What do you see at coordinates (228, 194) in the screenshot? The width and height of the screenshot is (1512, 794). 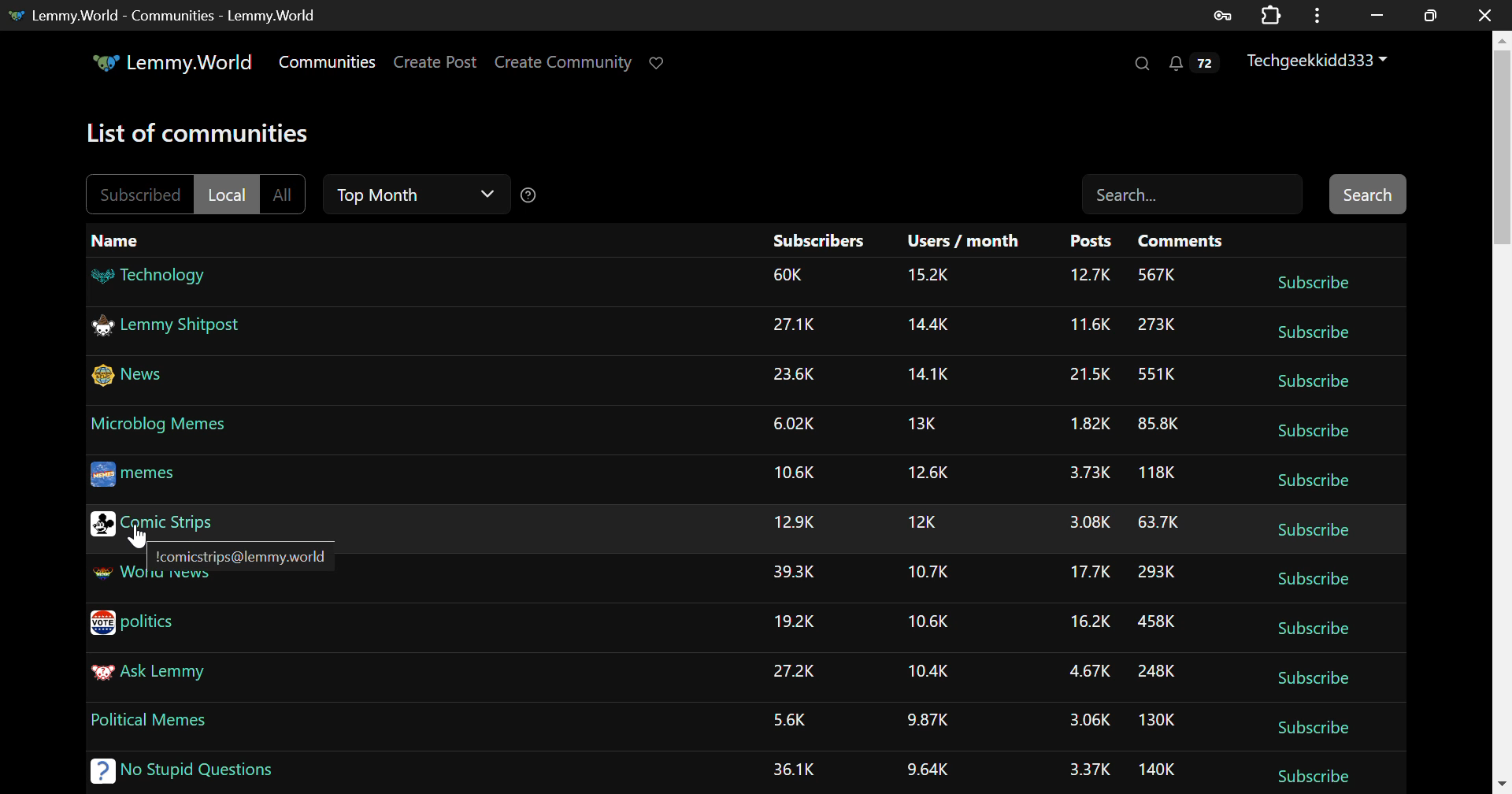 I see `Local Filter Selected` at bounding box center [228, 194].